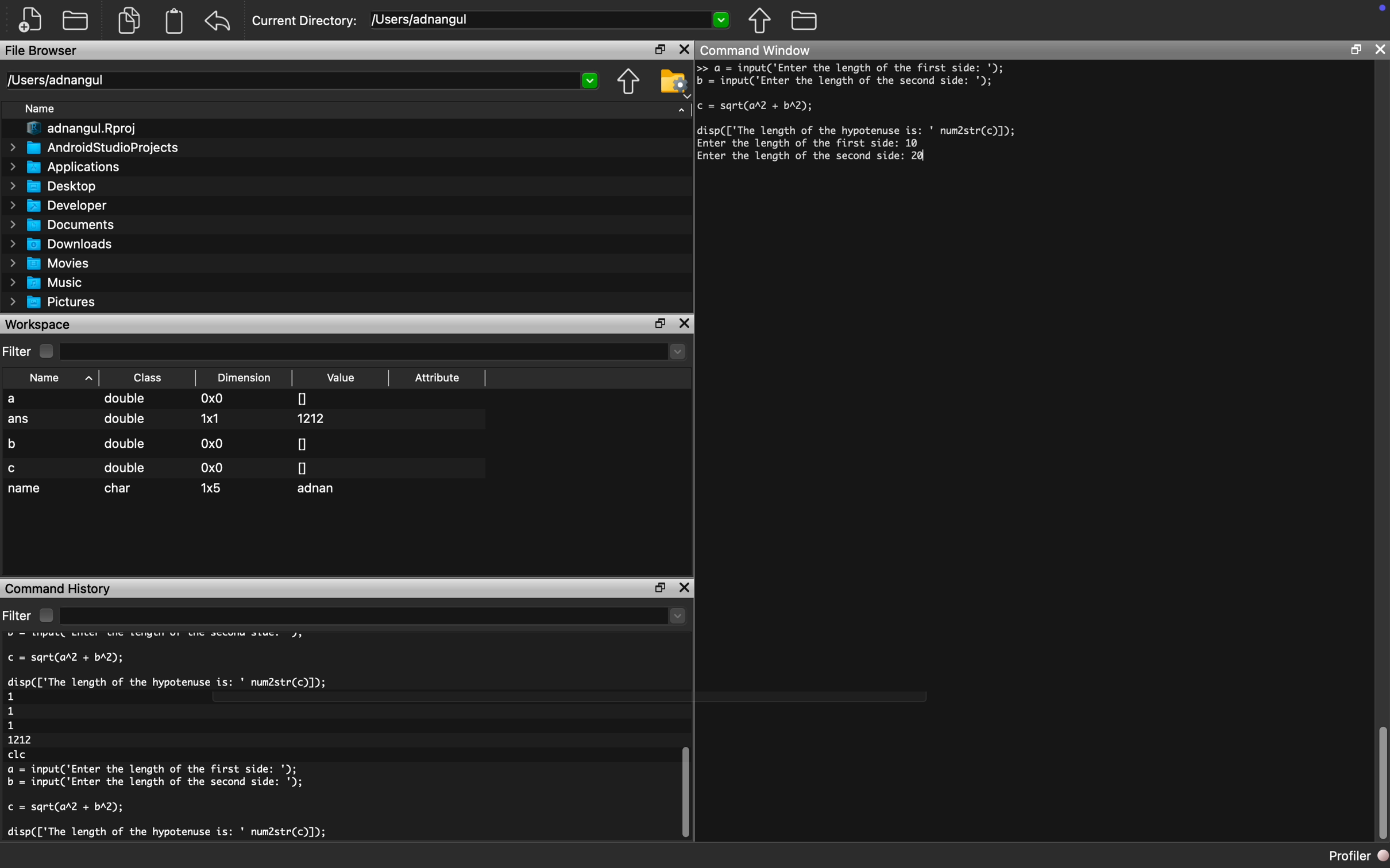 The image size is (1390, 868). Describe the element at coordinates (657, 587) in the screenshot. I see `restore down` at that location.